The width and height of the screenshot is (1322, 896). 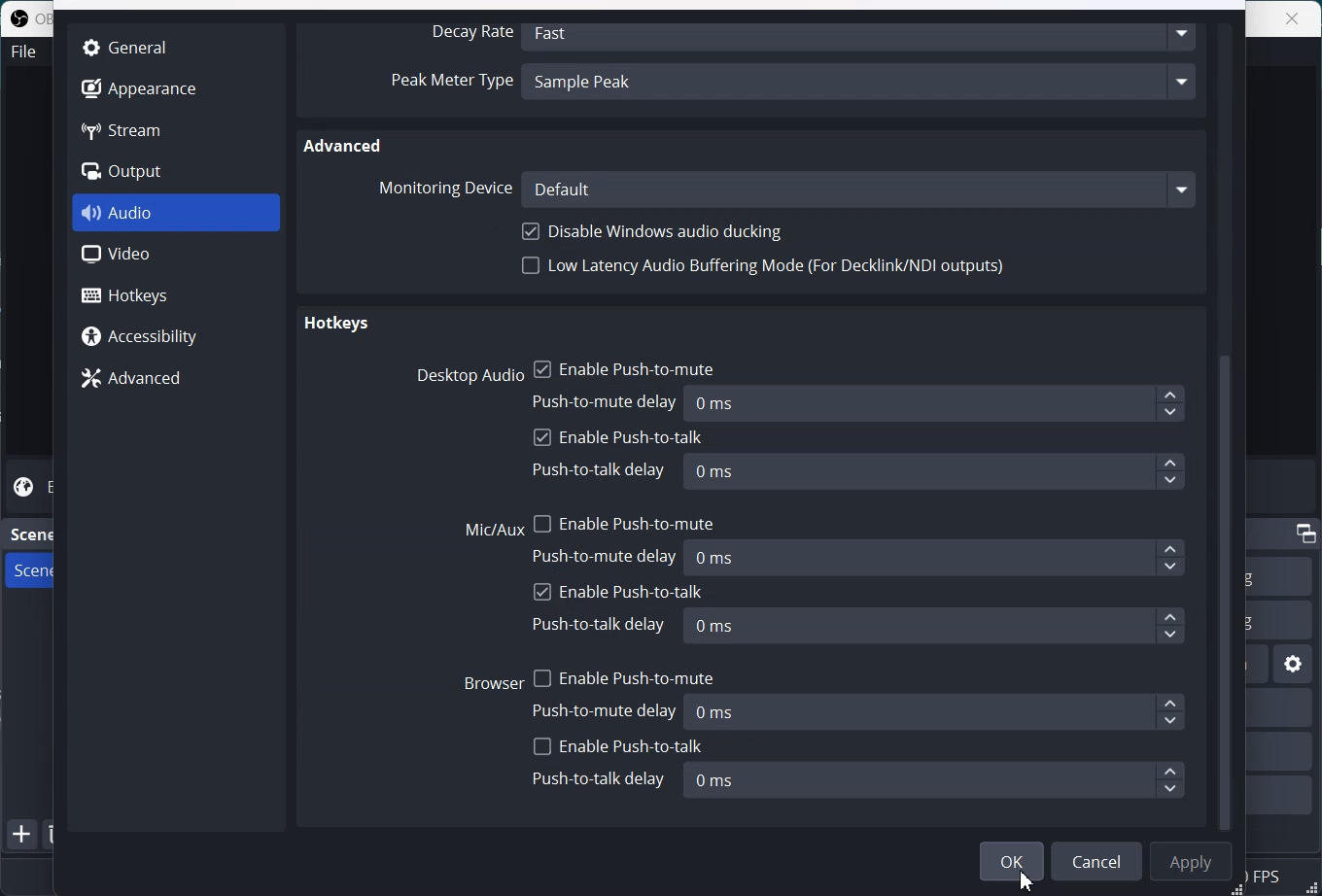 What do you see at coordinates (862, 34) in the screenshot?
I see `Fast` at bounding box center [862, 34].